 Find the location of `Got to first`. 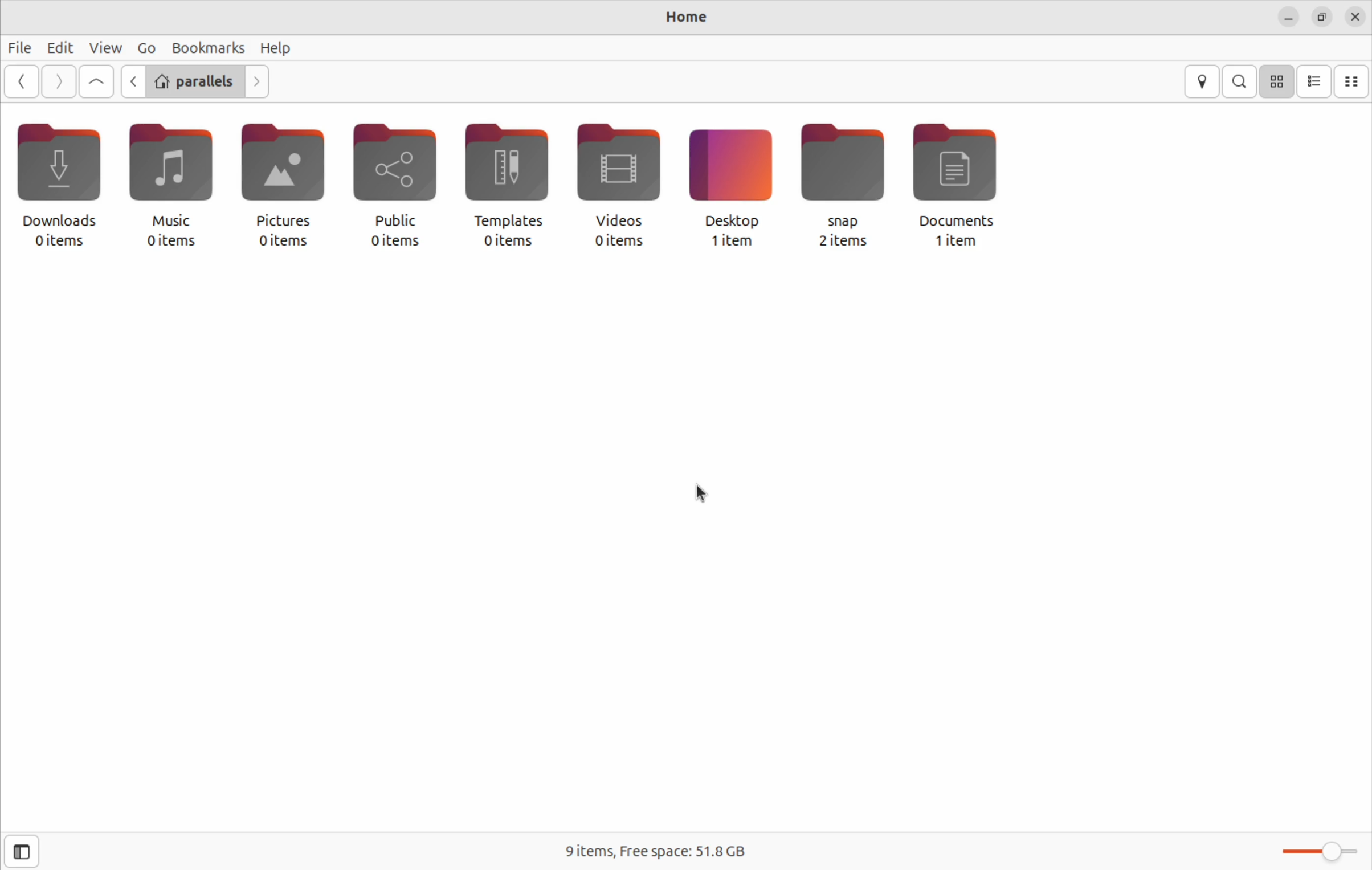

Got to first is located at coordinates (98, 81).